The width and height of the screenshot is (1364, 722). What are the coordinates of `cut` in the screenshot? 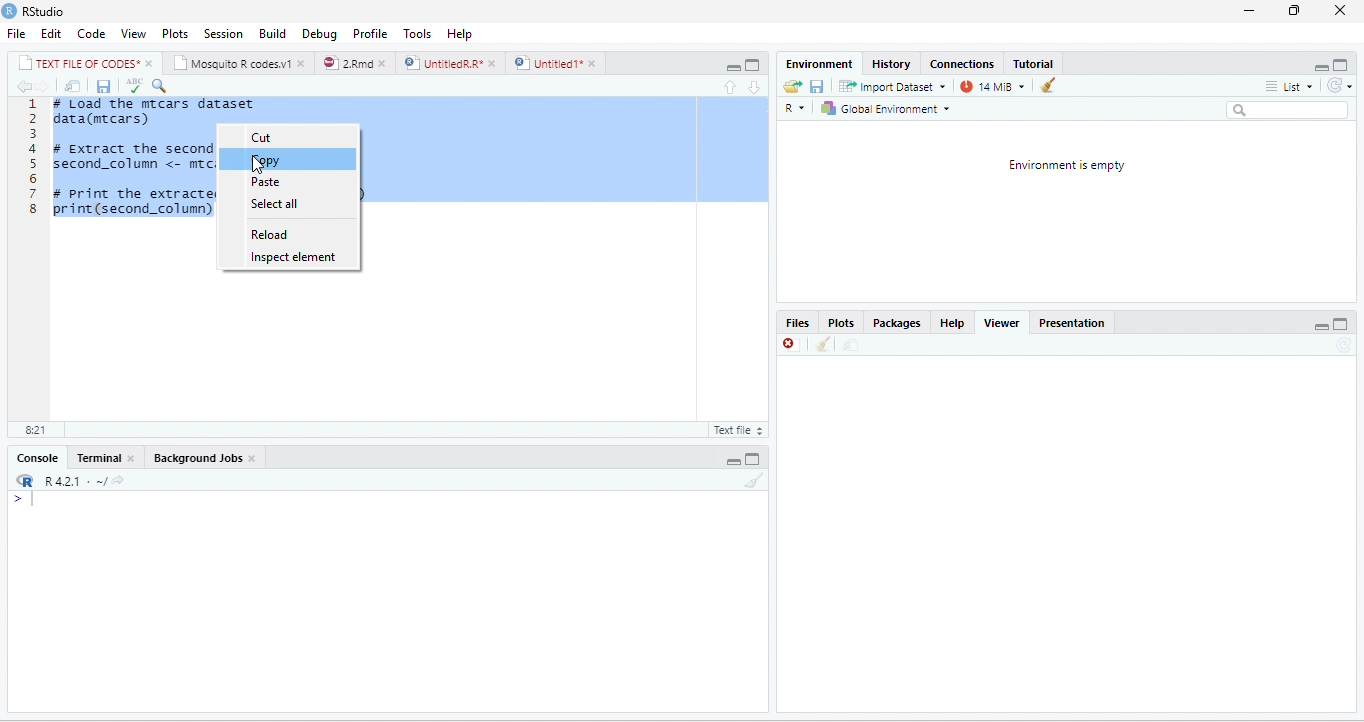 It's located at (261, 137).